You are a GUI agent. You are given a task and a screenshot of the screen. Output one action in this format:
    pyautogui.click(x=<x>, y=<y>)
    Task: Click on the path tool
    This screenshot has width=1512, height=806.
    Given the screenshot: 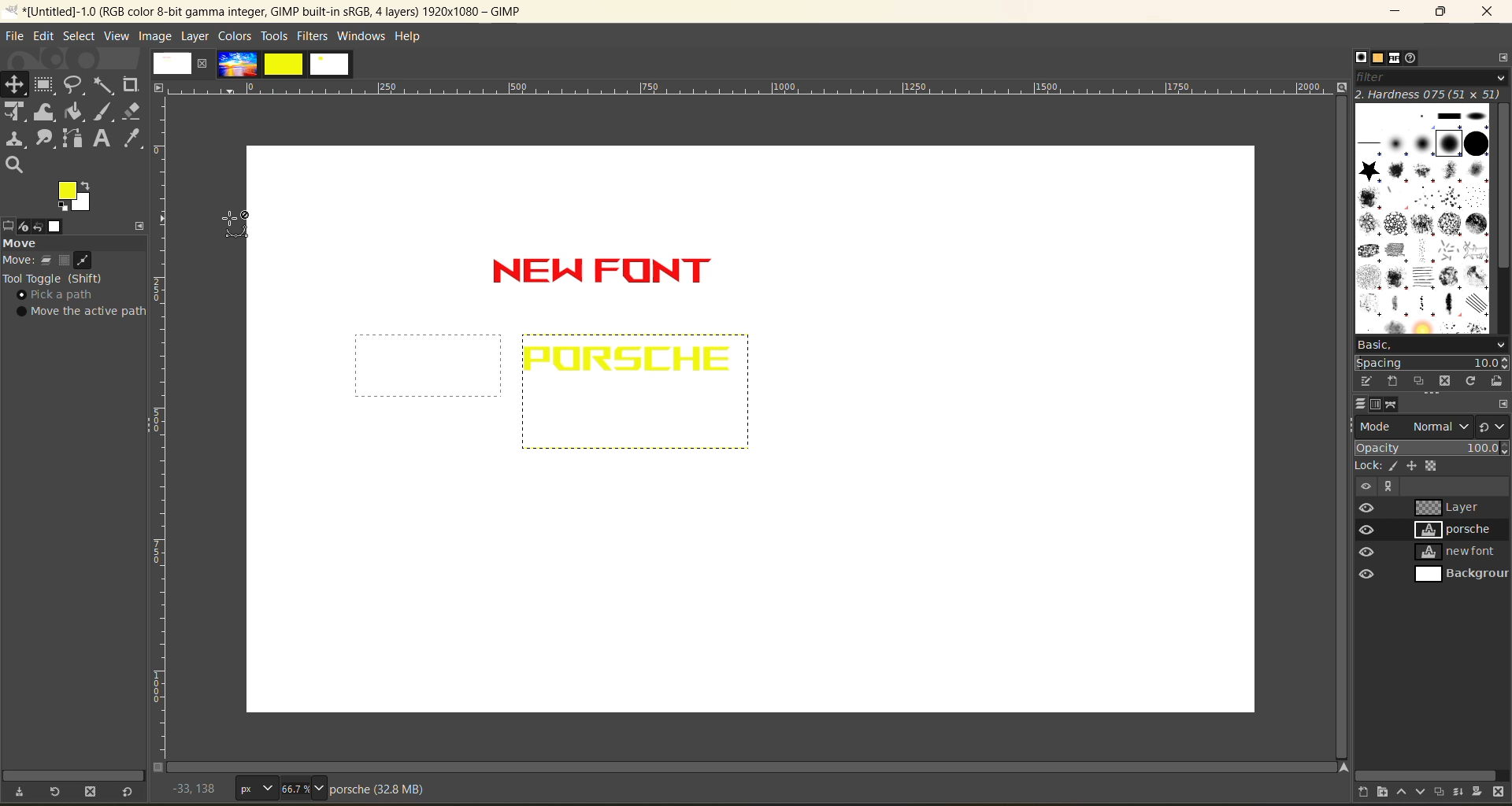 What is the action you would take?
    pyautogui.click(x=73, y=138)
    